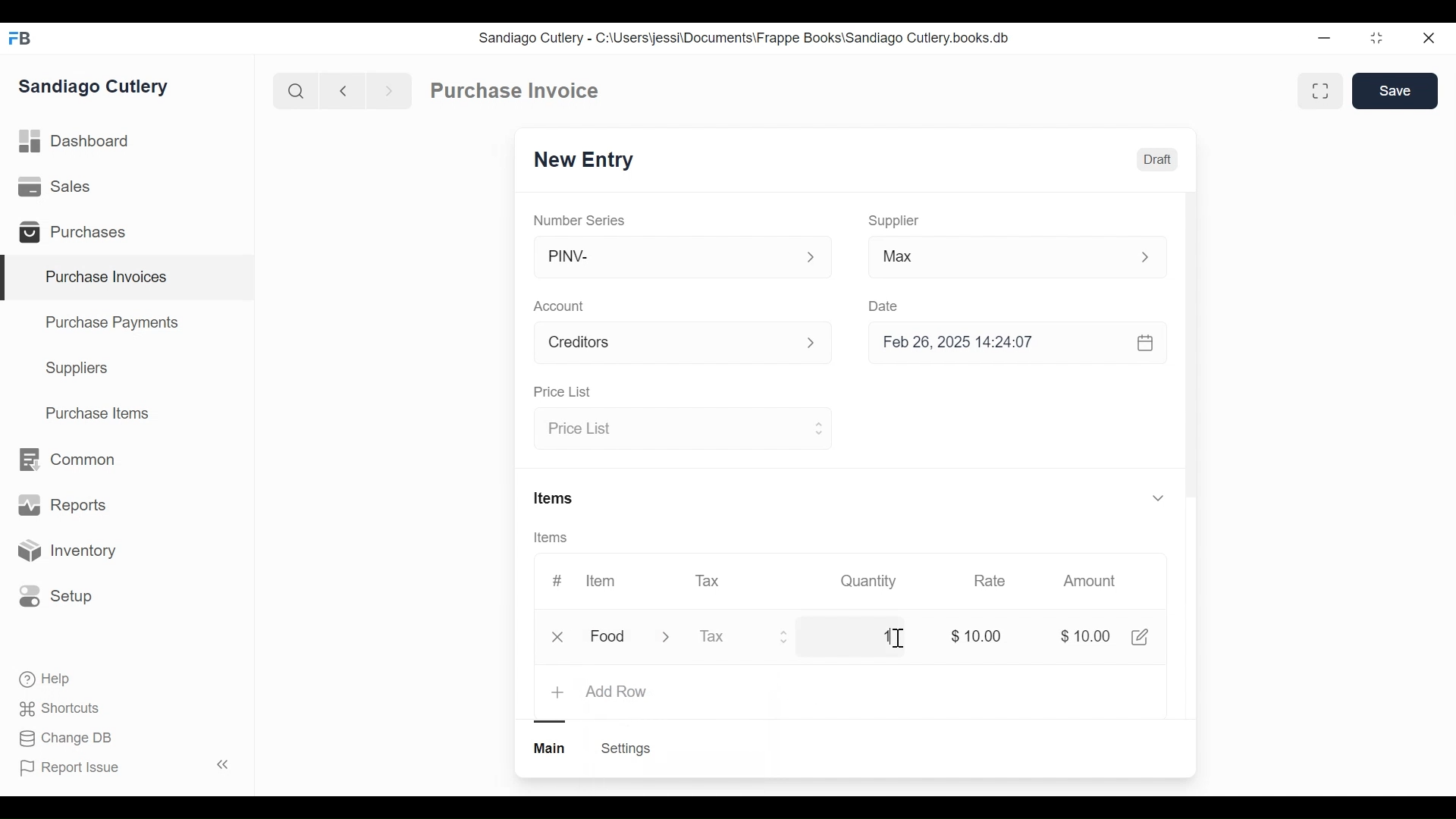  What do you see at coordinates (296, 90) in the screenshot?
I see `Search` at bounding box center [296, 90].